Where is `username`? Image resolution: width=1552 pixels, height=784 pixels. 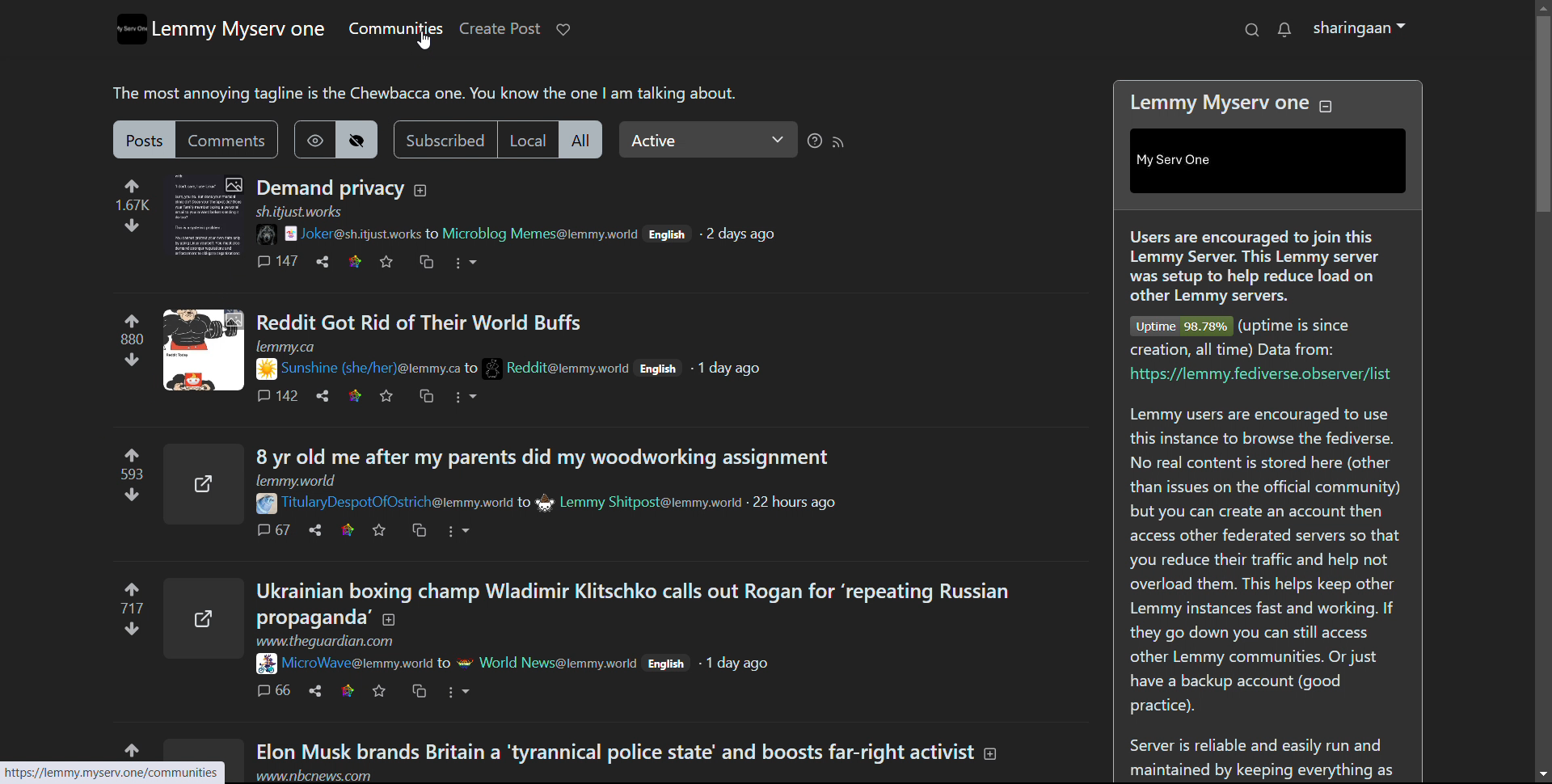 username is located at coordinates (358, 663).